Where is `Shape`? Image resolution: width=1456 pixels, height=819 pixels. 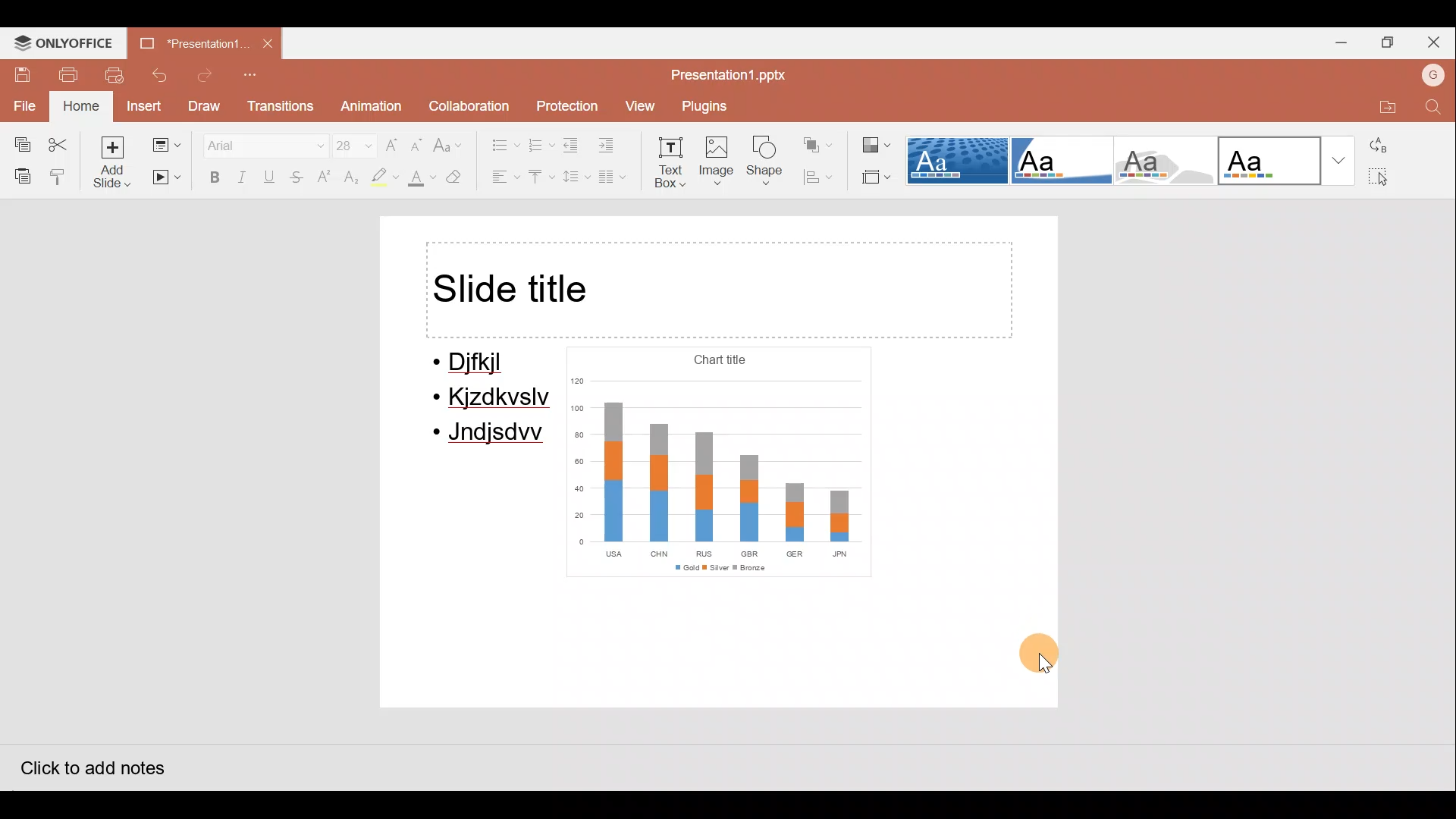 Shape is located at coordinates (765, 163).